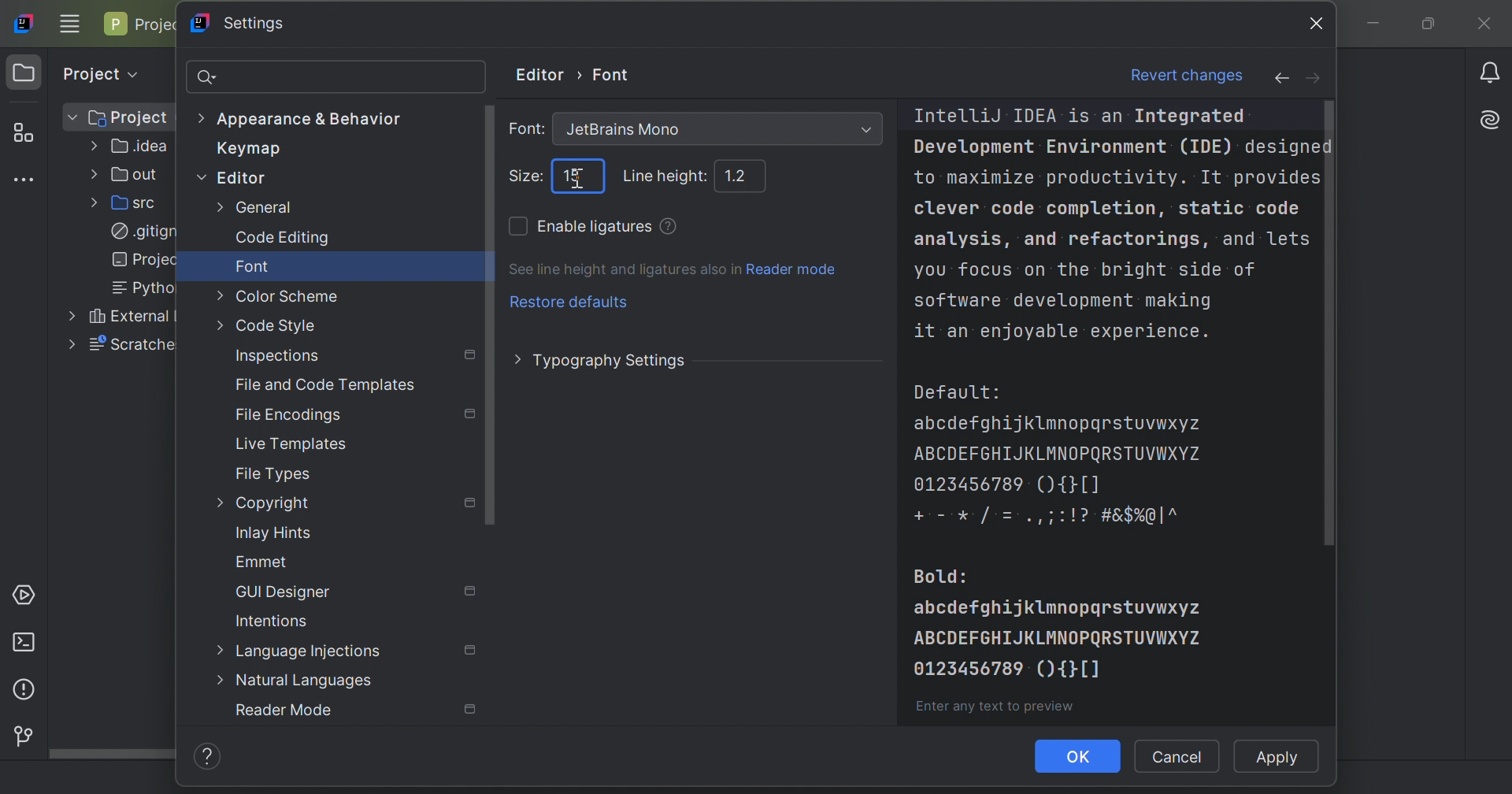  Describe the element at coordinates (471, 358) in the screenshot. I see `Settings marked with this icon are only applied to the current project. Non-marked settings are applied to all projects.` at that location.